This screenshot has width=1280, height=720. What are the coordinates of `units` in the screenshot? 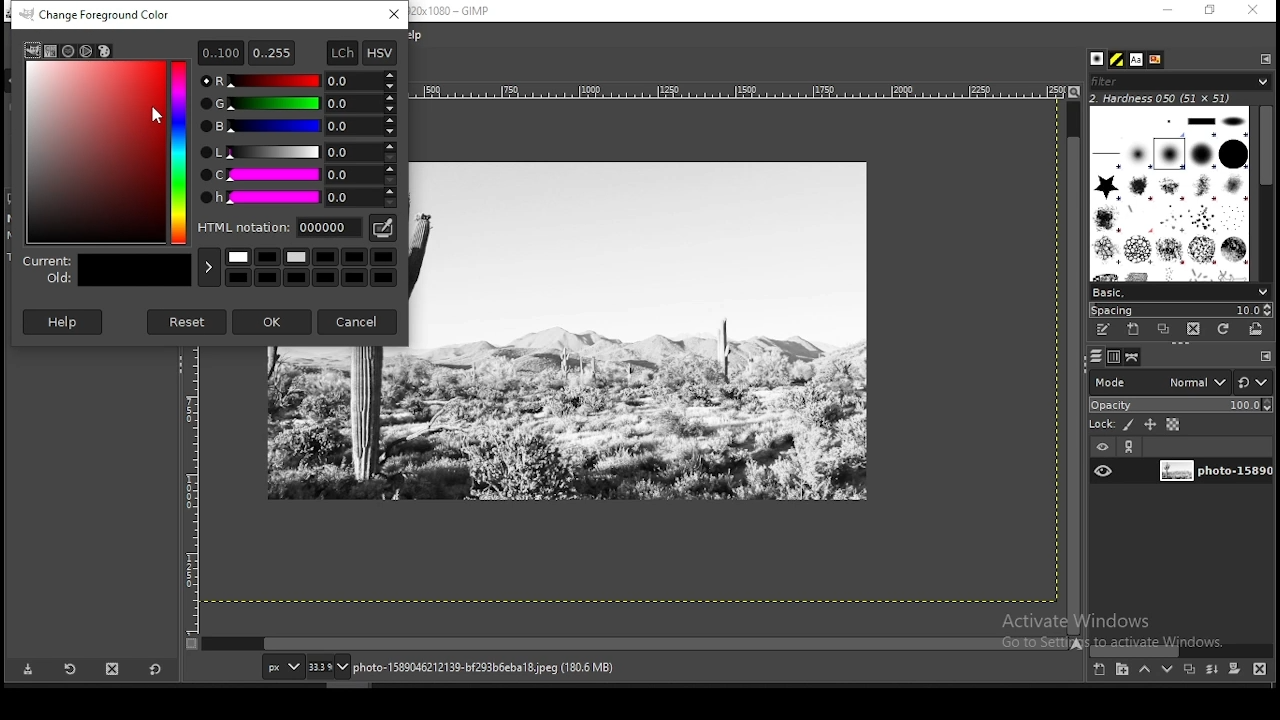 It's located at (281, 665).